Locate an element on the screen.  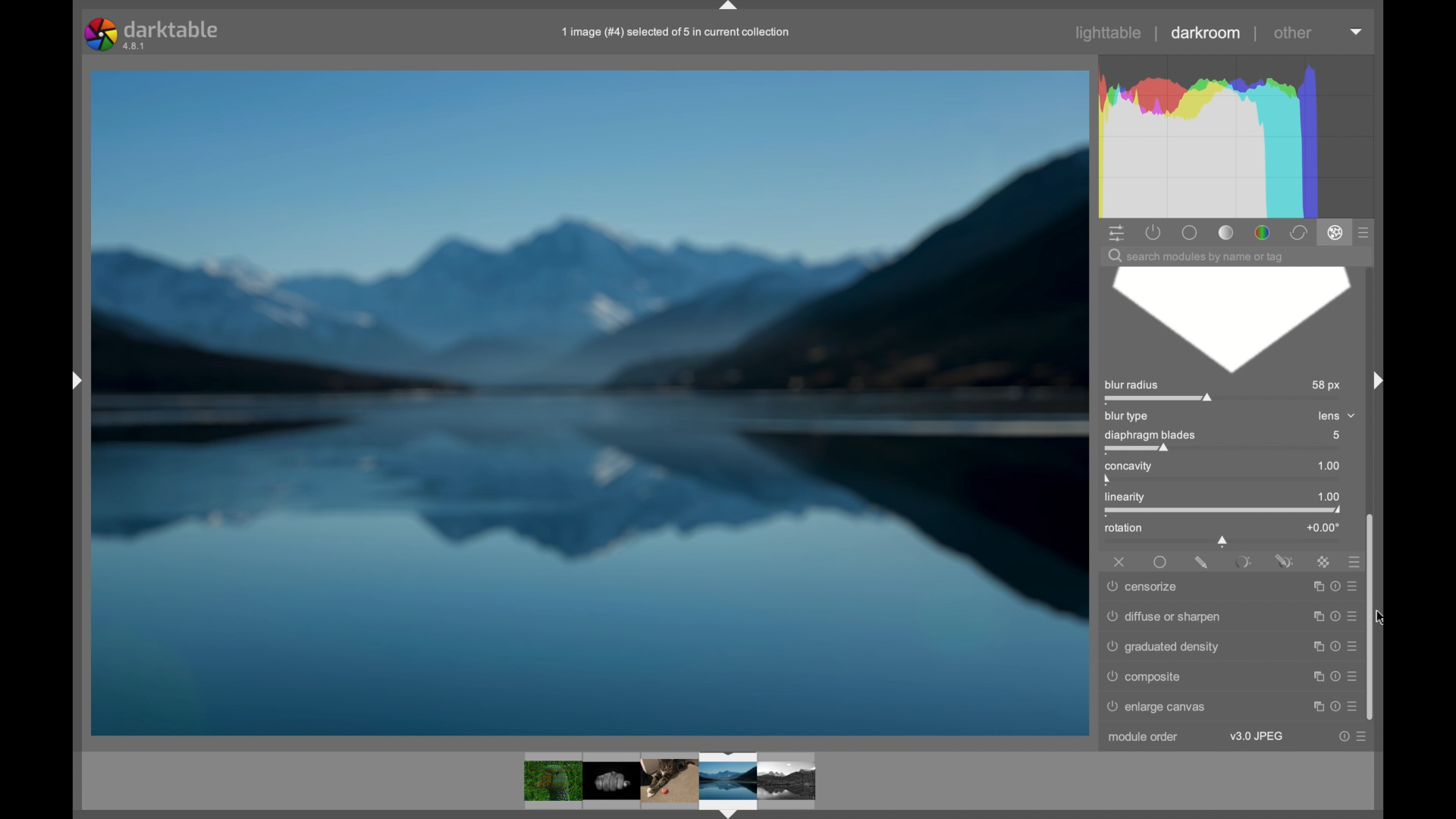
1.00 is located at coordinates (1322, 466).